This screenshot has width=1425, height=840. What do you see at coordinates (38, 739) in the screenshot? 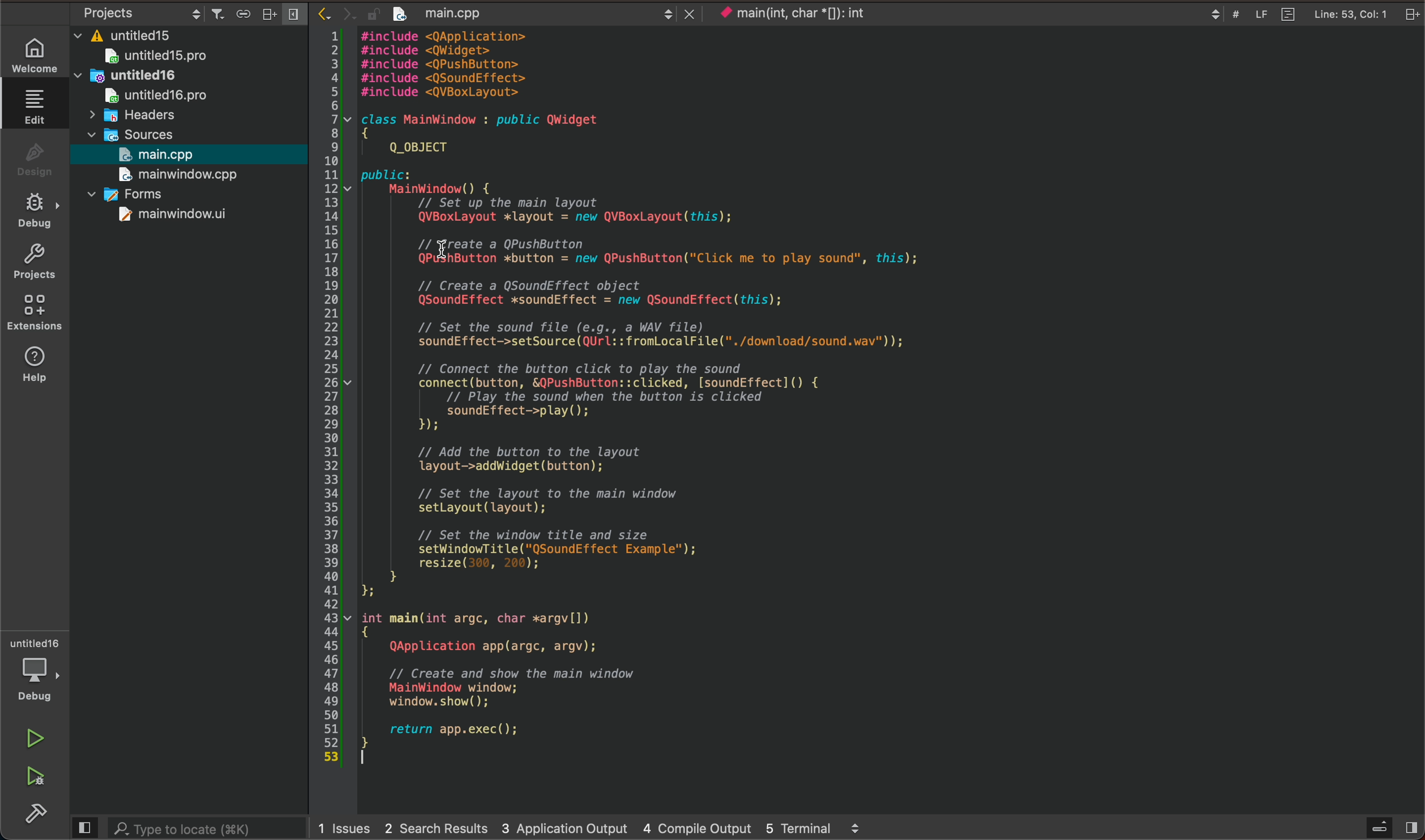
I see `run ` at bounding box center [38, 739].